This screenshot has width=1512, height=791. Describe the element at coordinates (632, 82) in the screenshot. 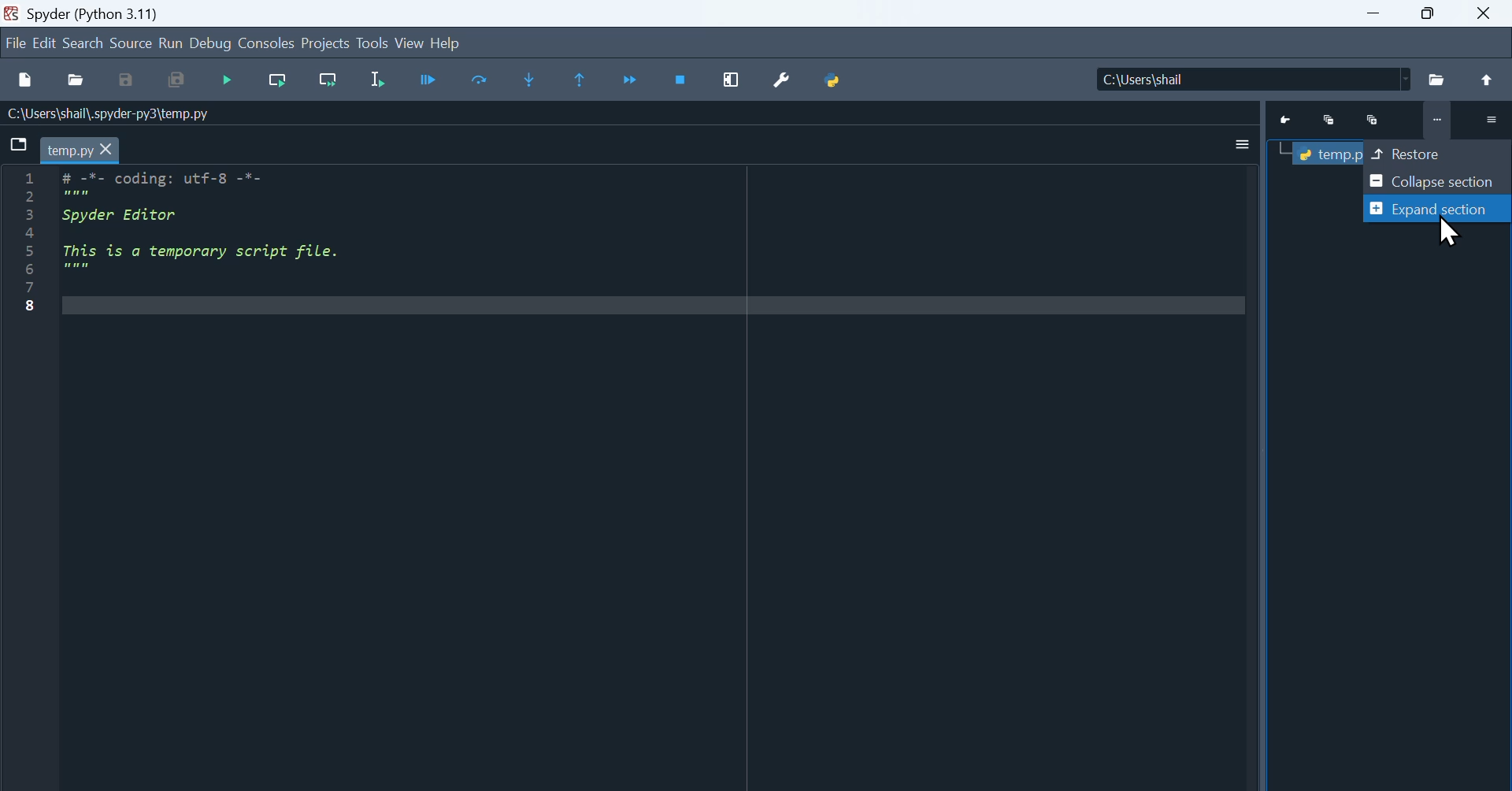

I see `Continue execution until next breakpoint` at that location.